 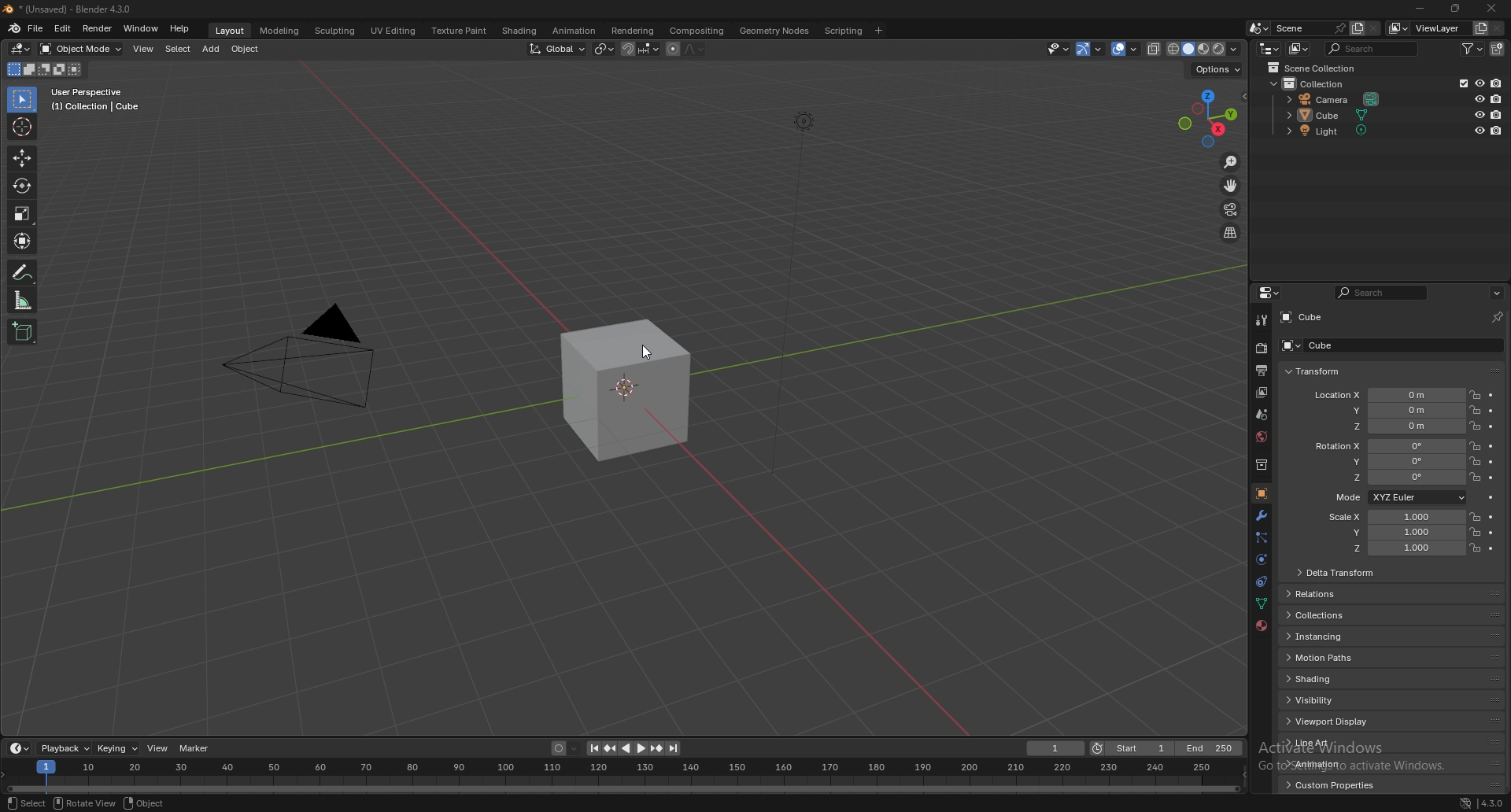 I want to click on lock, so click(x=1475, y=394).